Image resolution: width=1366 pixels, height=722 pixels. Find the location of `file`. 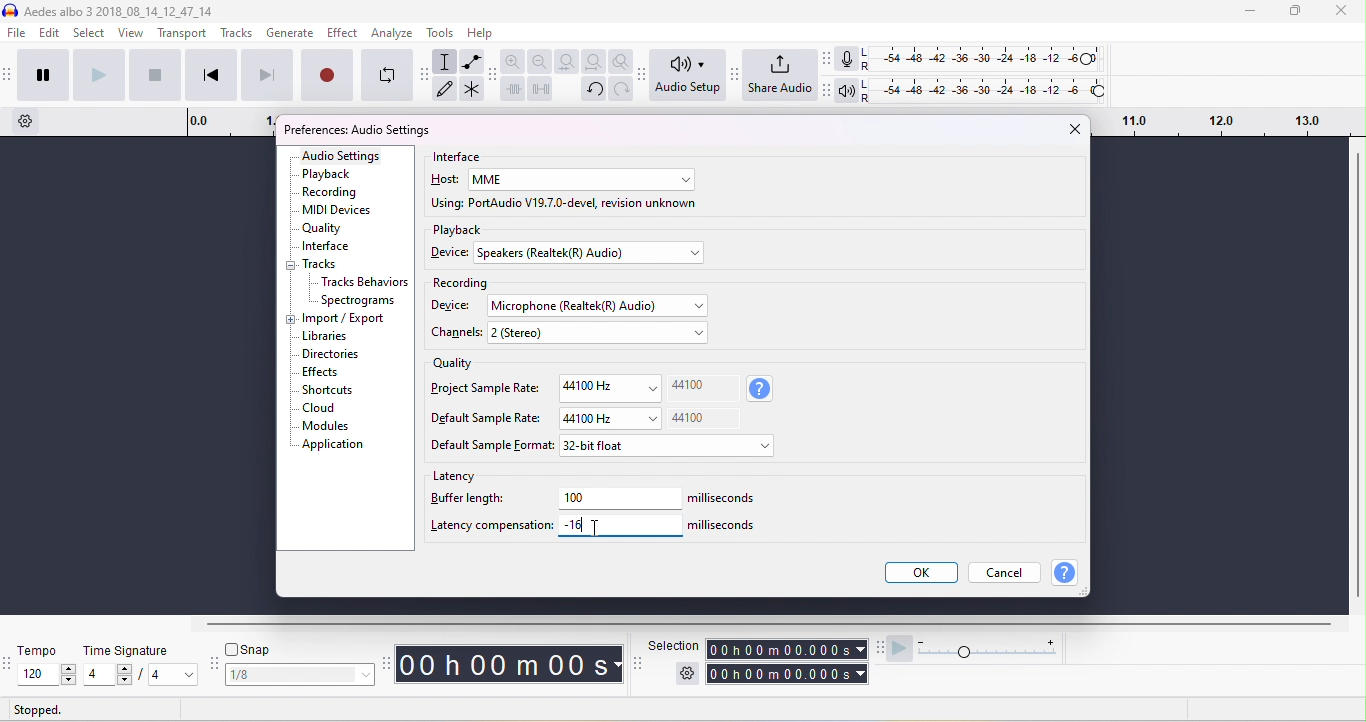

file is located at coordinates (18, 34).